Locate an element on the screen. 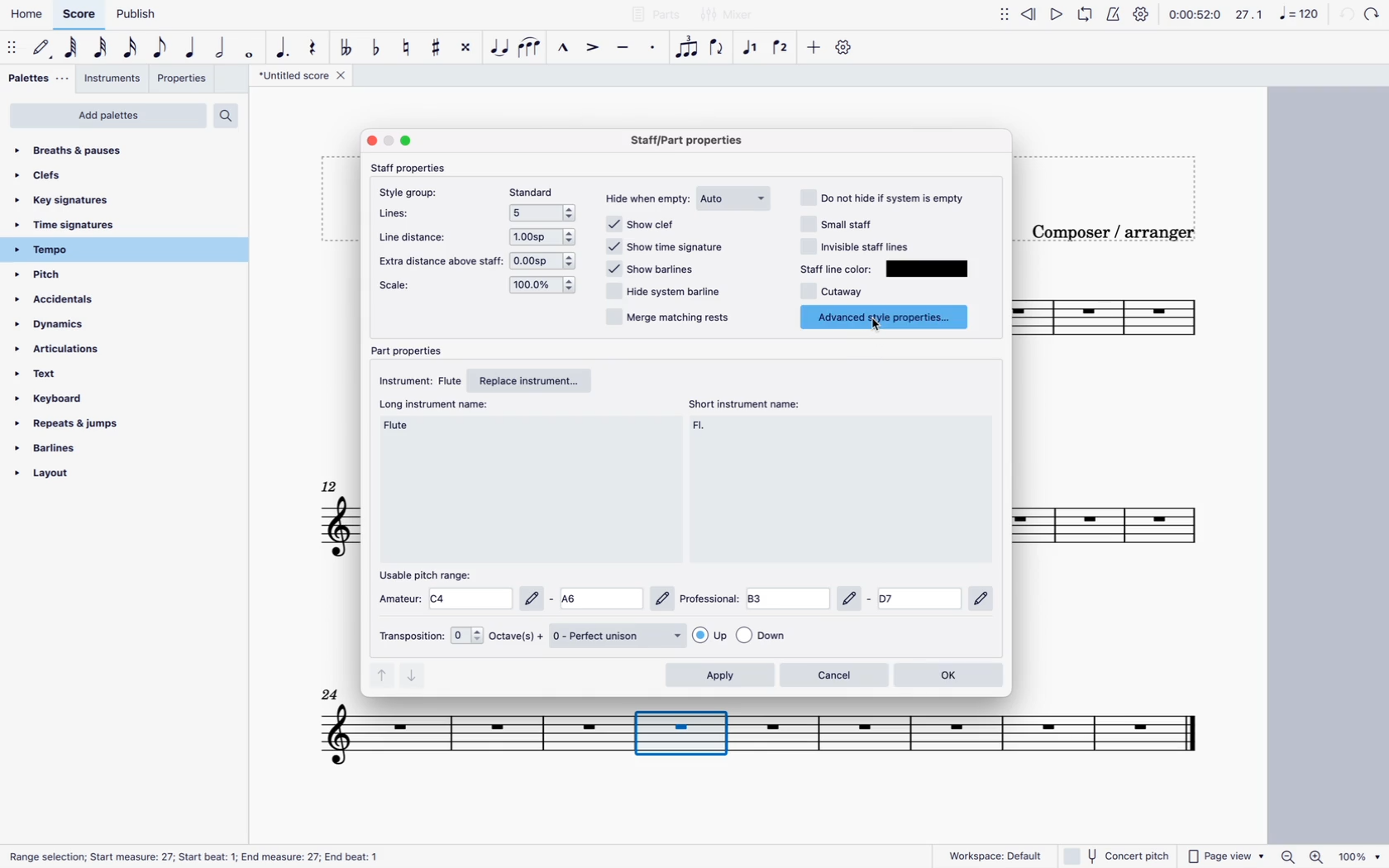 Image resolution: width=1389 pixels, height=868 pixels. toggle natural is located at coordinates (408, 48).